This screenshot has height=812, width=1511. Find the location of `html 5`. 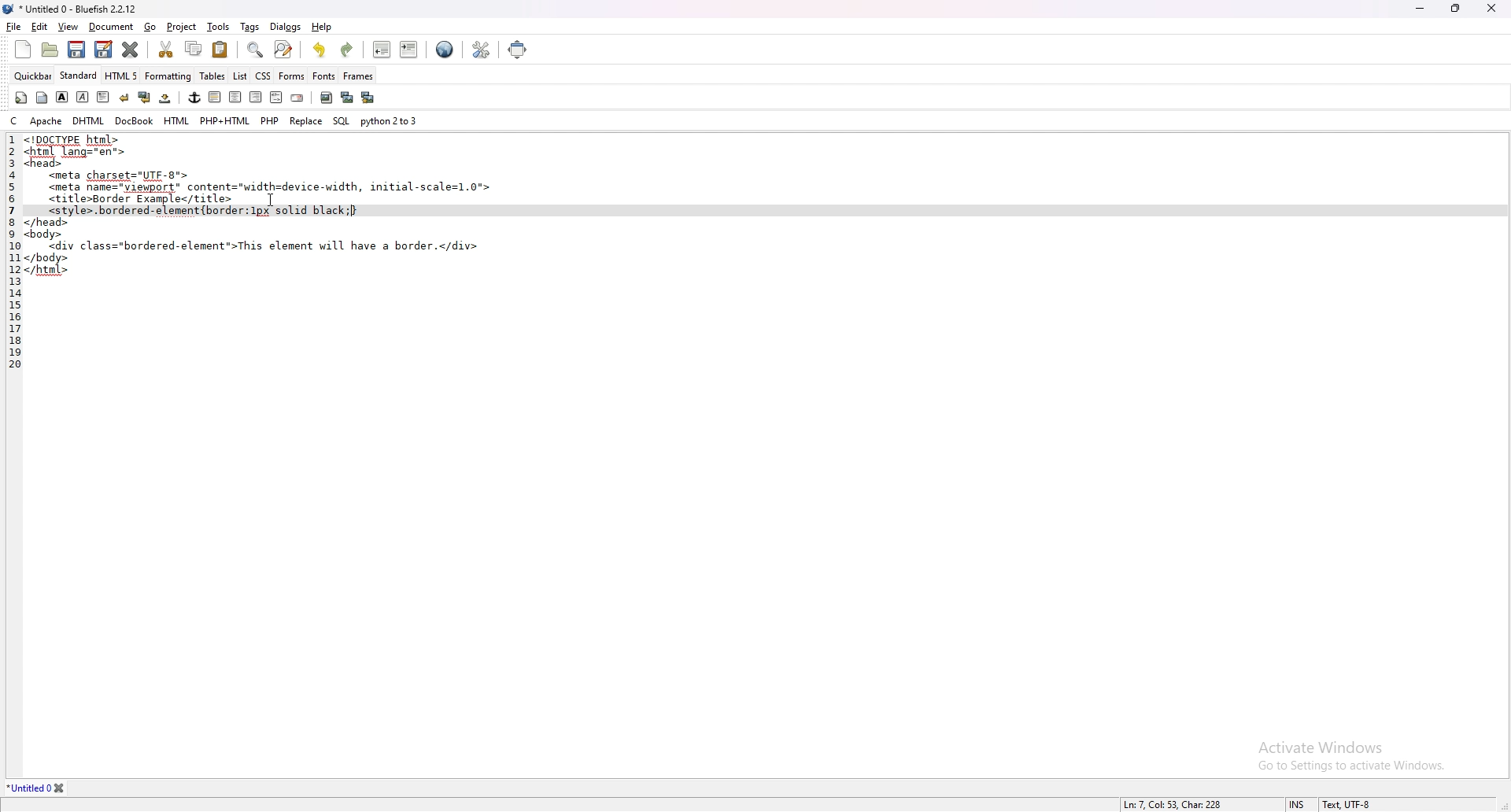

html 5 is located at coordinates (122, 75).